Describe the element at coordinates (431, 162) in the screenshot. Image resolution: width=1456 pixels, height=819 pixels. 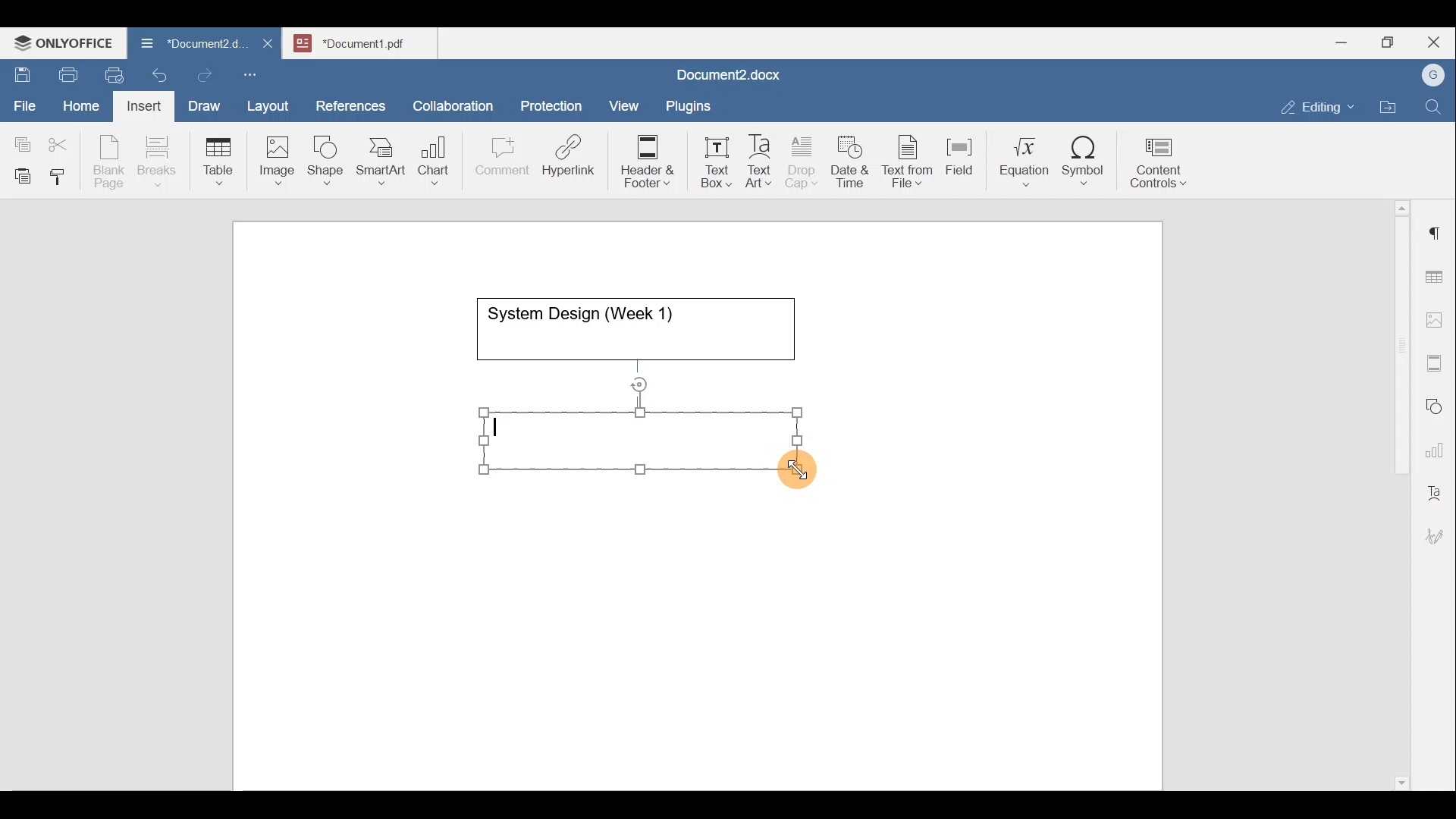
I see `Chart` at that location.